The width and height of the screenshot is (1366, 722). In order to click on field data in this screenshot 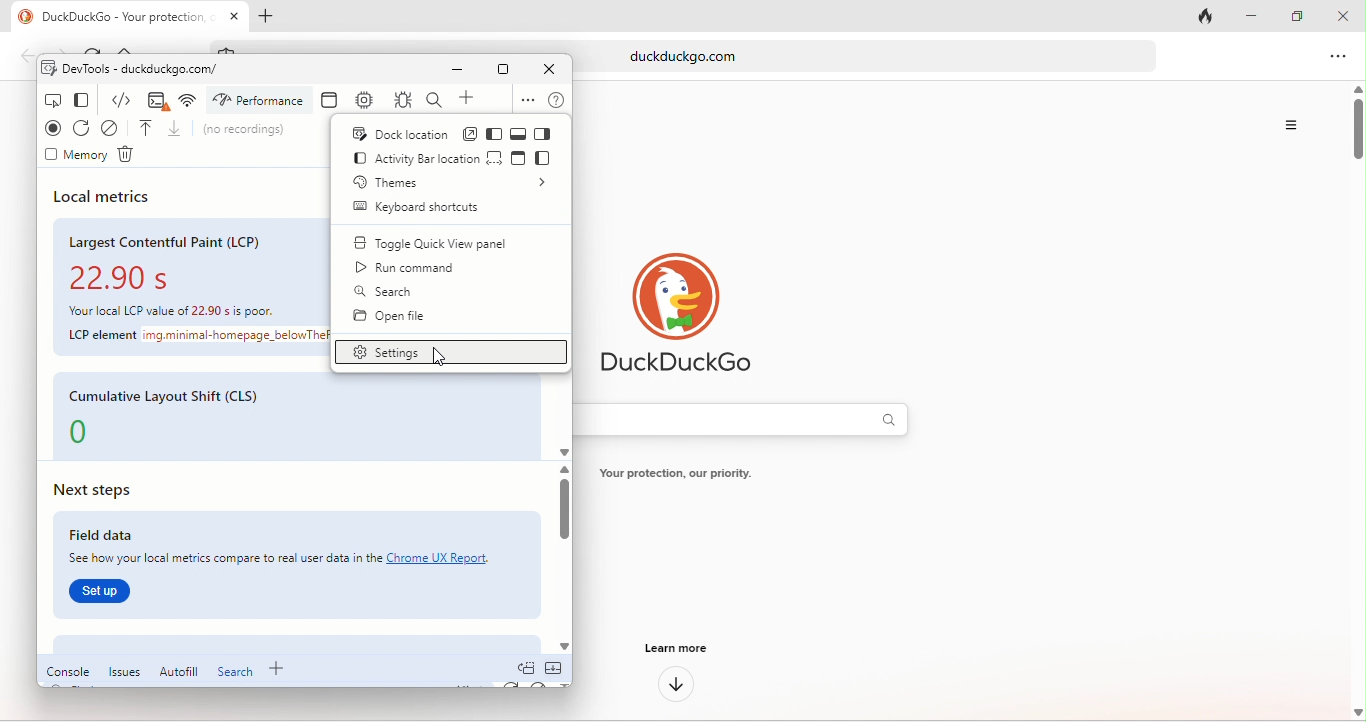, I will do `click(122, 535)`.